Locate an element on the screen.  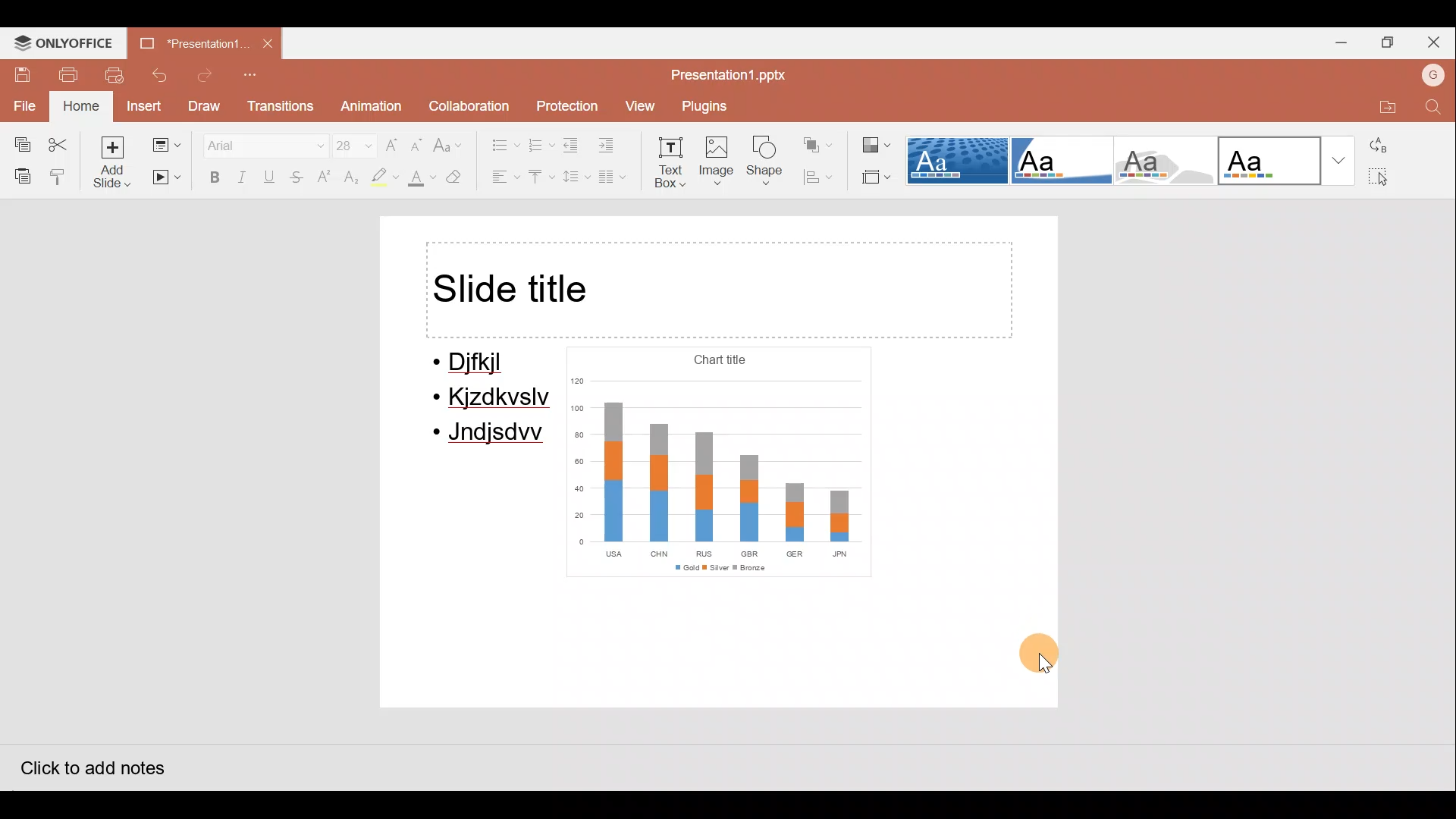
Italics is located at coordinates (238, 174).